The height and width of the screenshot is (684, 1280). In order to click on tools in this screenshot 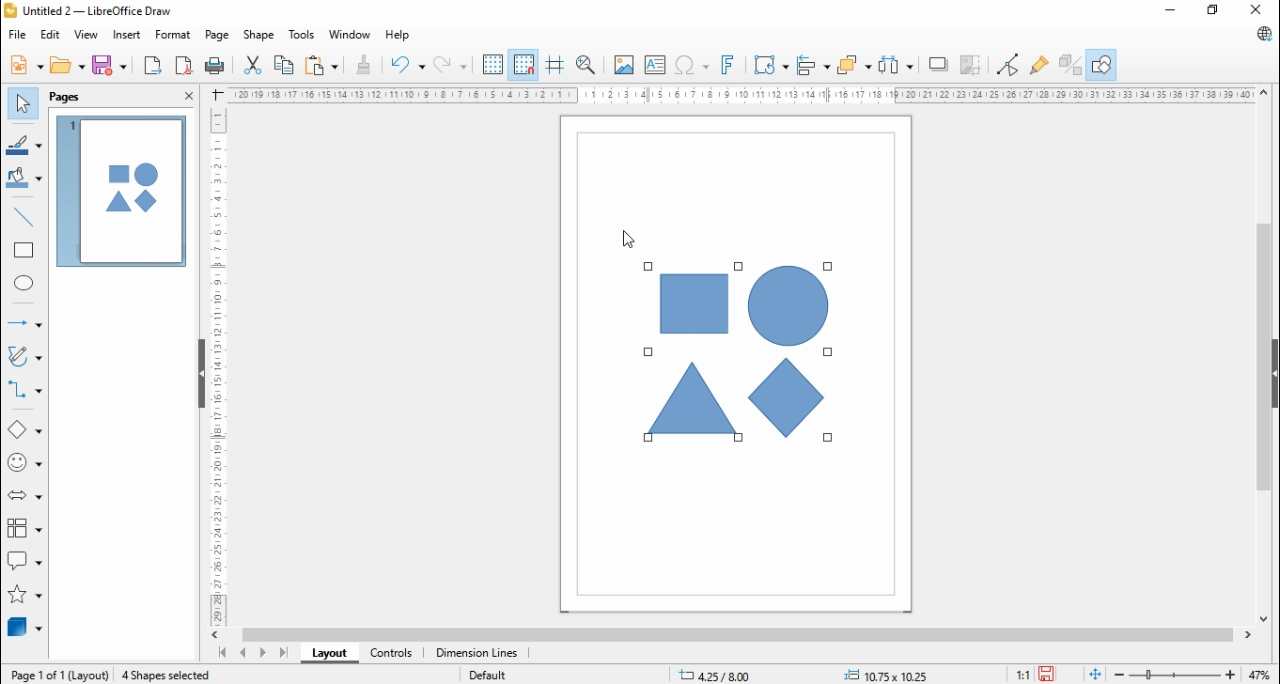, I will do `click(303, 34)`.